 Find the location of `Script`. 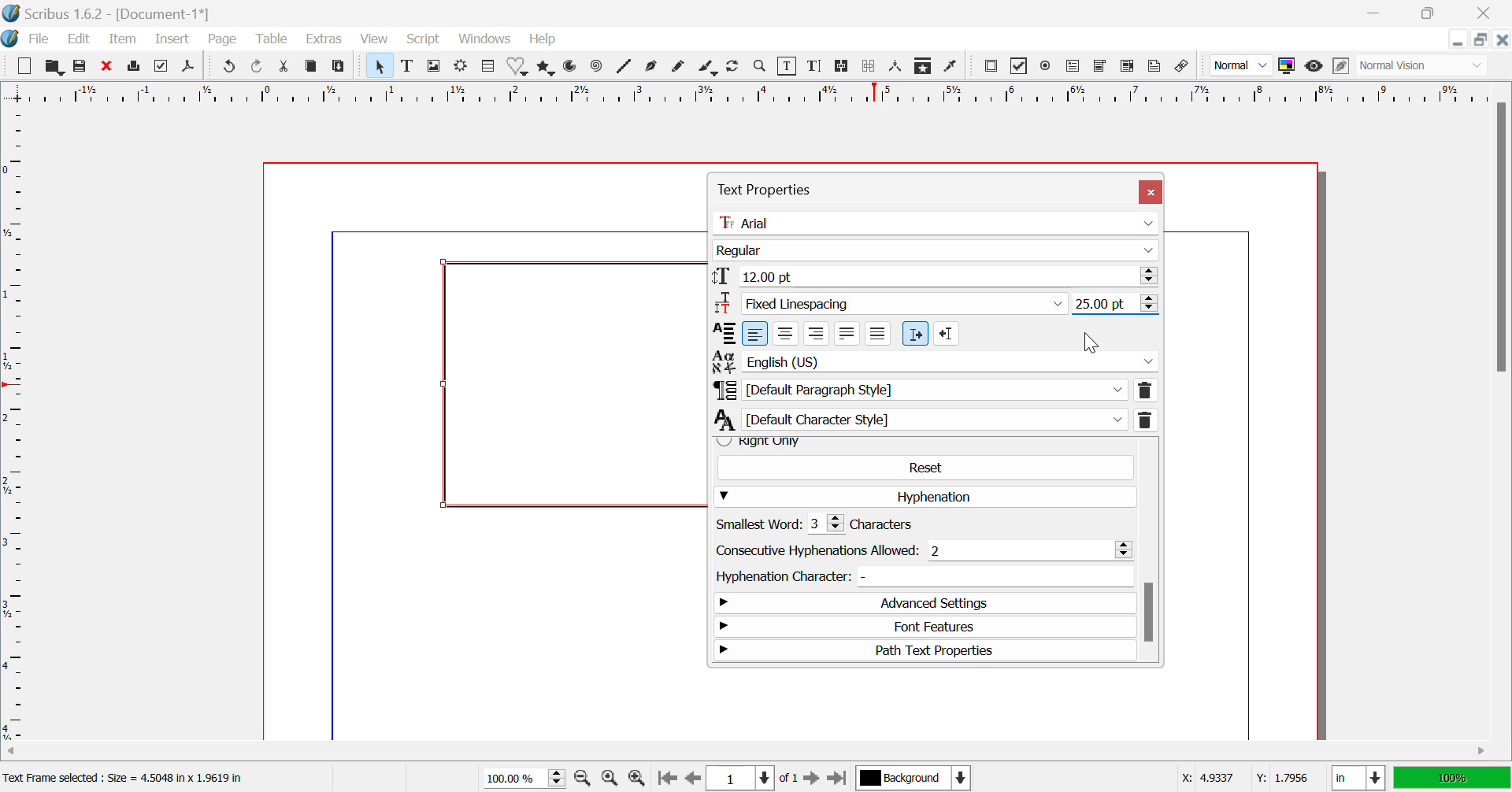

Script is located at coordinates (422, 40).